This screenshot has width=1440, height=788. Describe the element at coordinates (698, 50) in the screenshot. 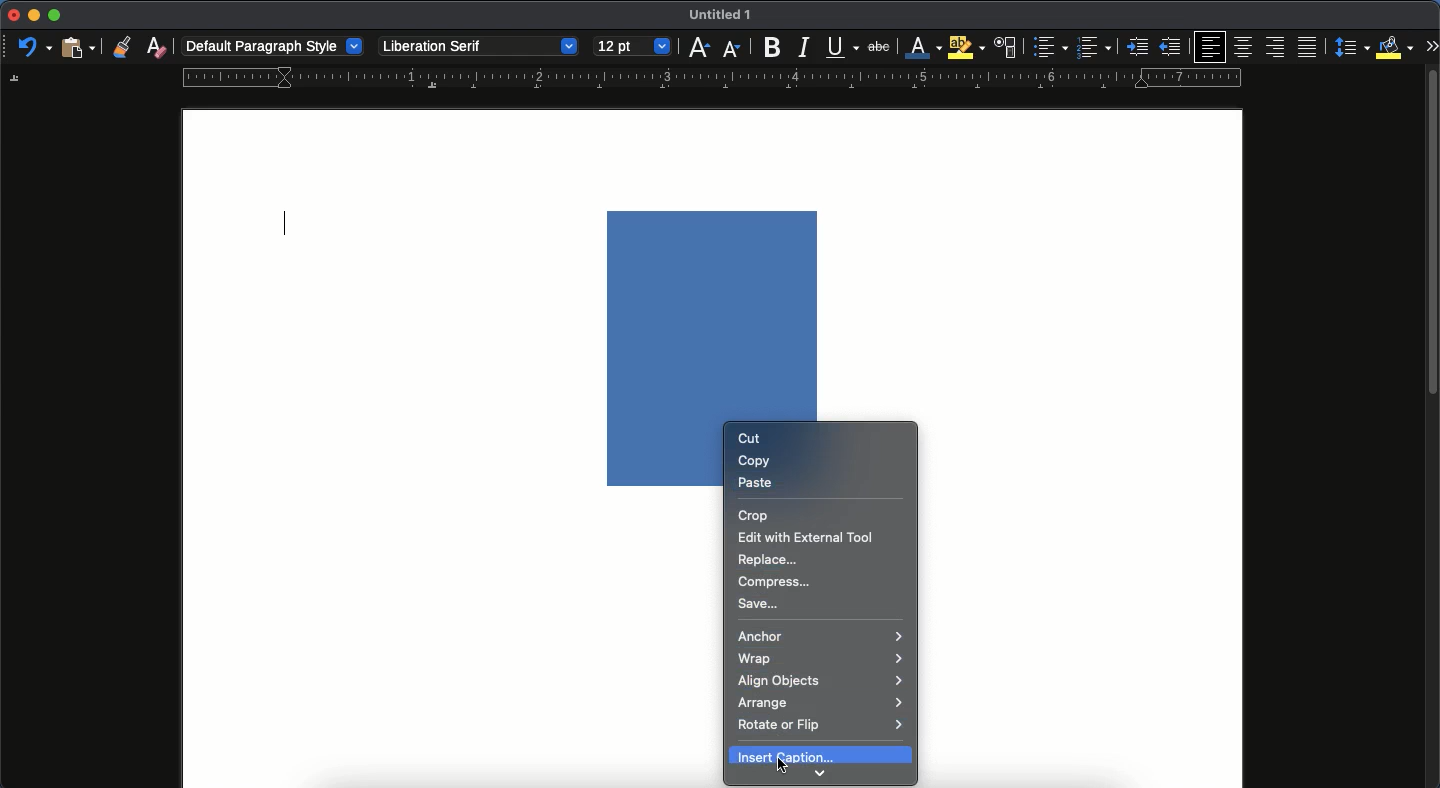

I see `increase size` at that location.